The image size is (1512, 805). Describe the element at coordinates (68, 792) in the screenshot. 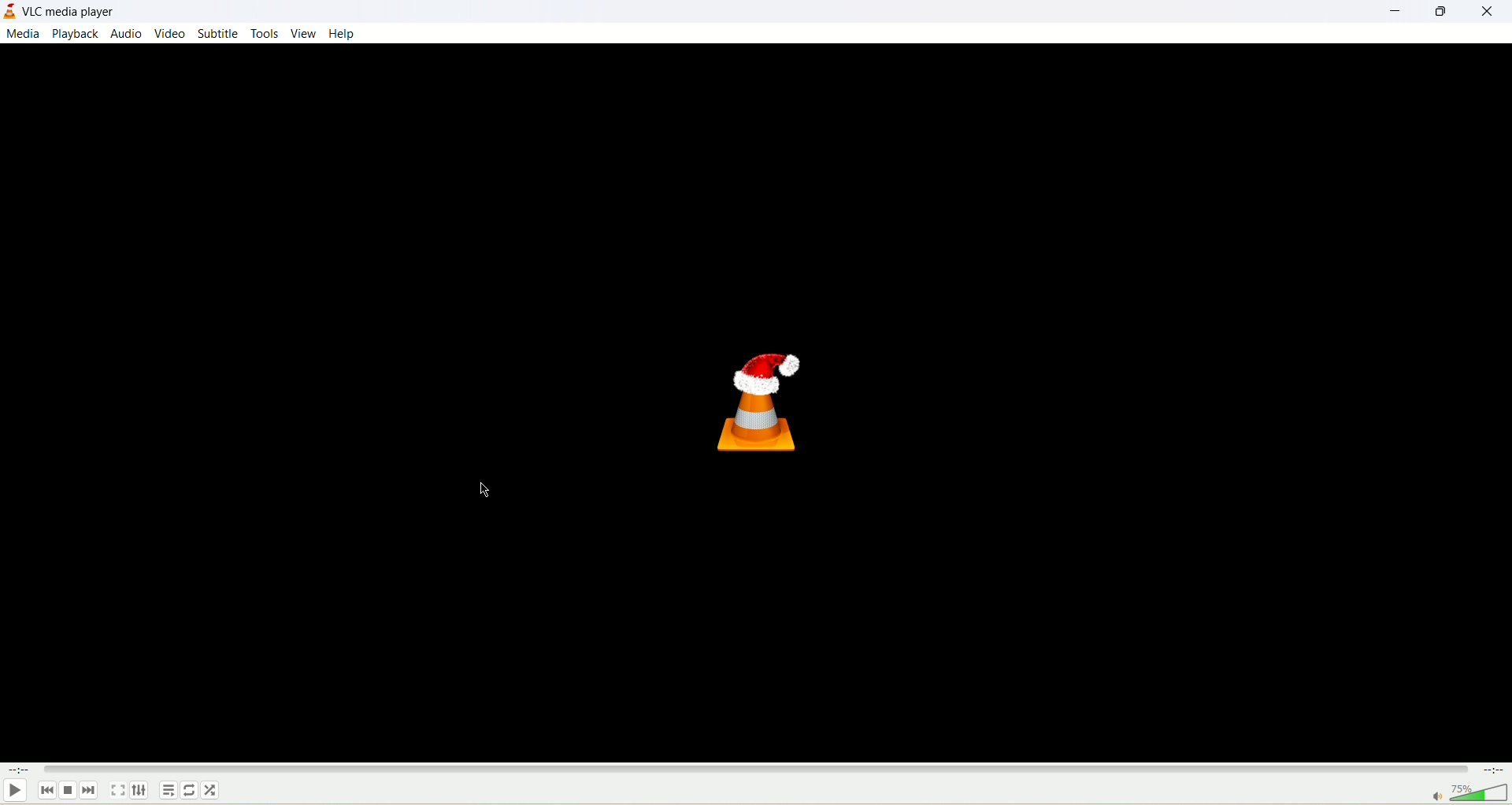

I see `stop` at that location.